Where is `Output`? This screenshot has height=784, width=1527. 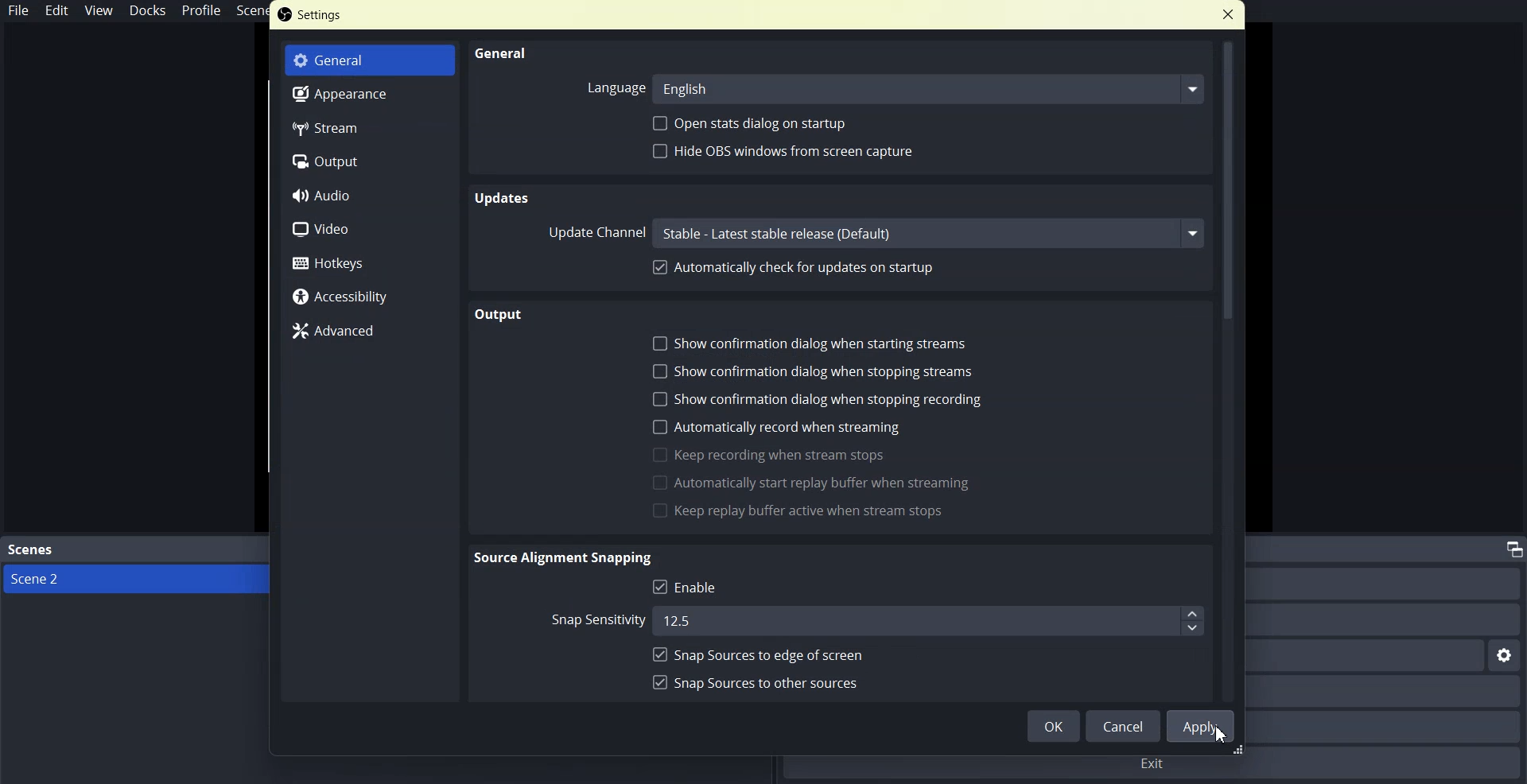 Output is located at coordinates (369, 160).